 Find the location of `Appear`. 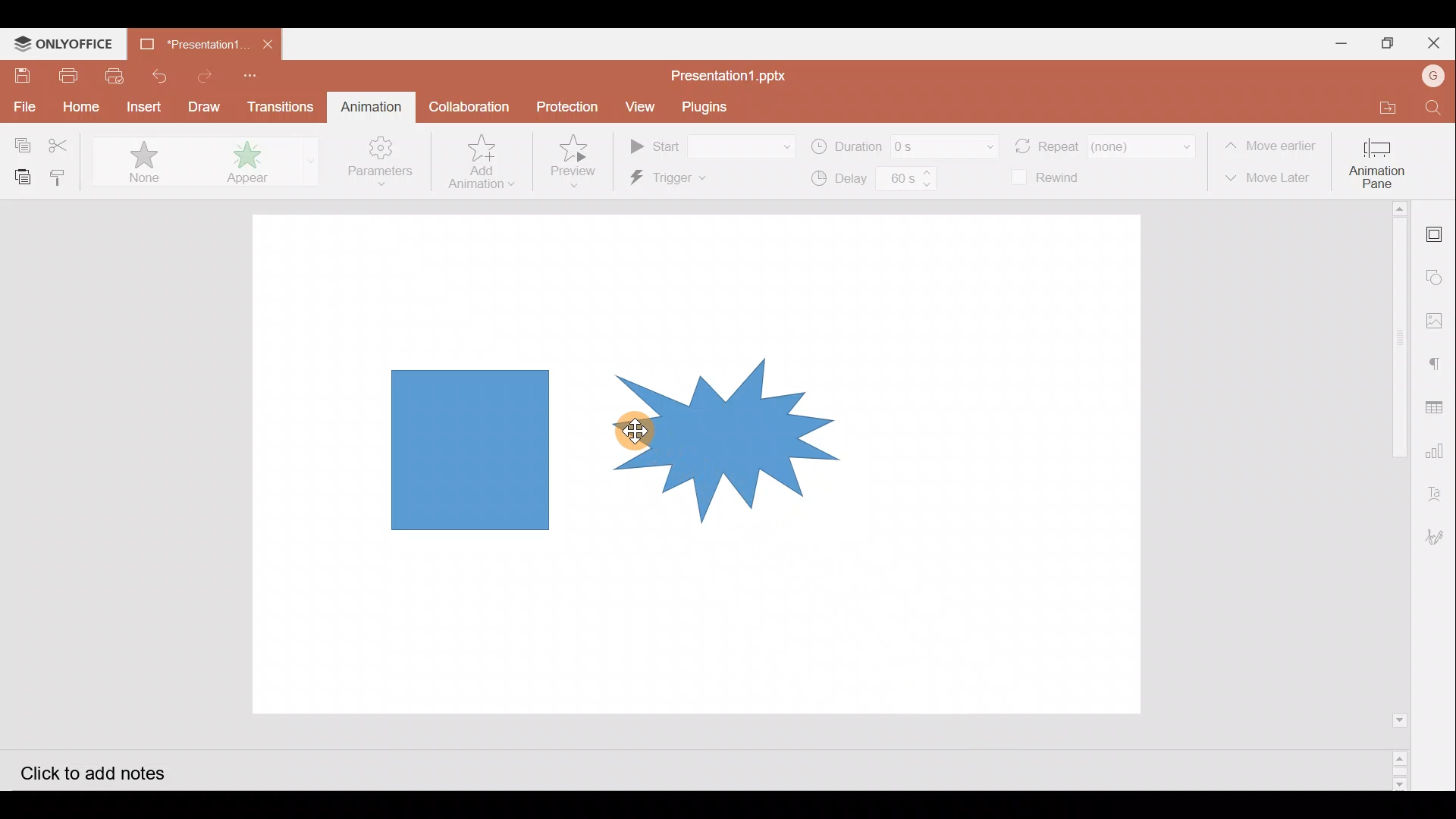

Appear is located at coordinates (245, 162).